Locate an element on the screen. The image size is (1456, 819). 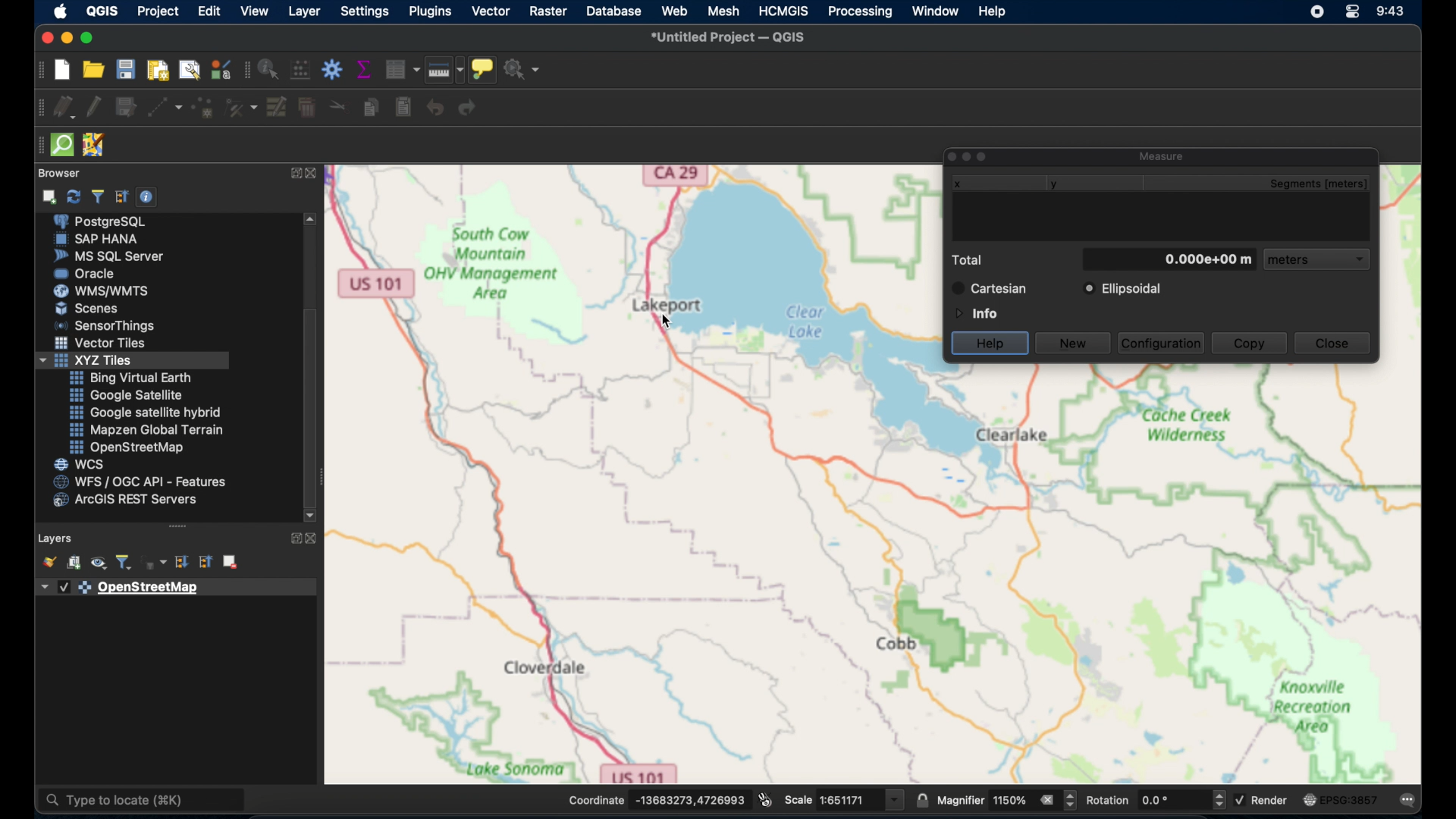
collapse all is located at coordinates (203, 562).